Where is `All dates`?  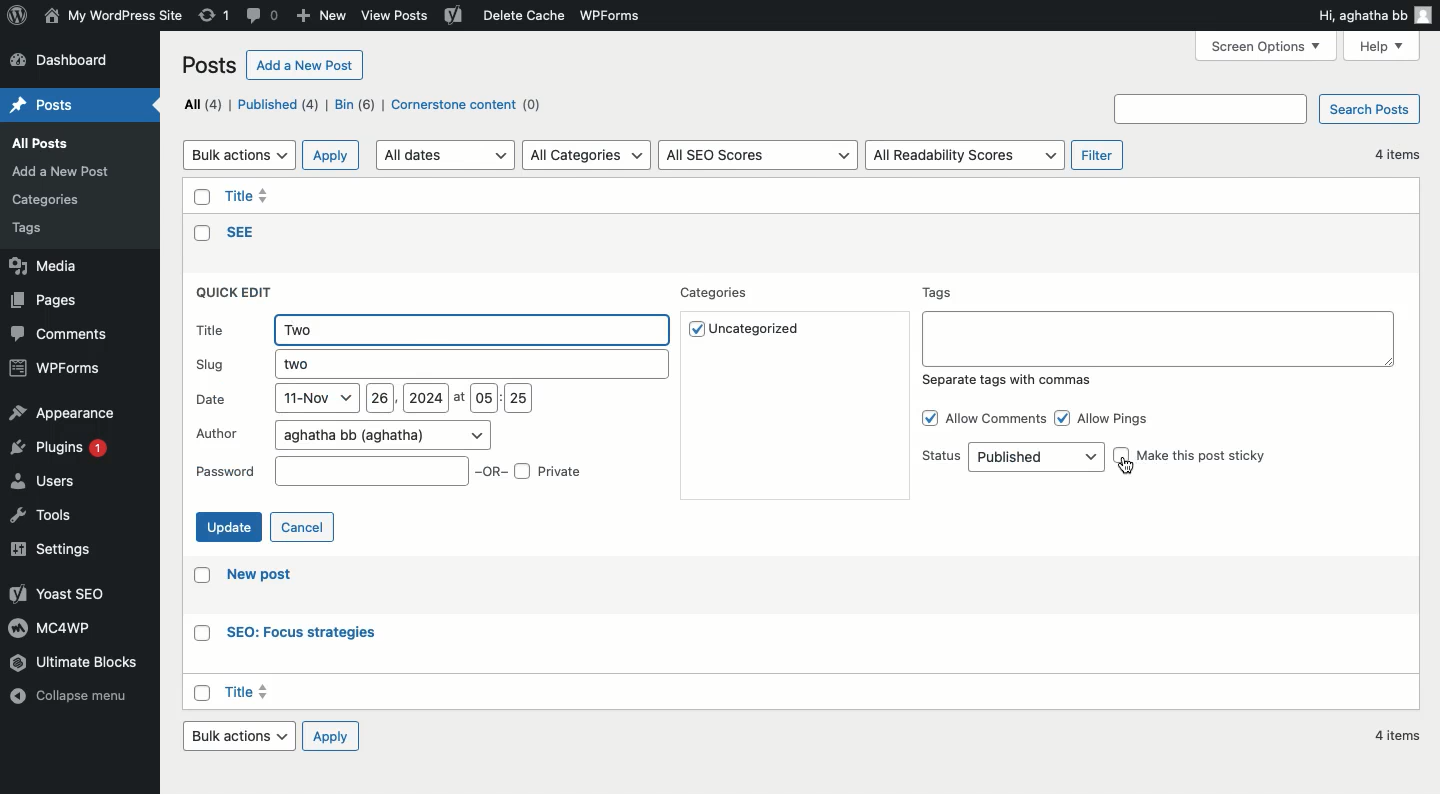
All dates is located at coordinates (445, 156).